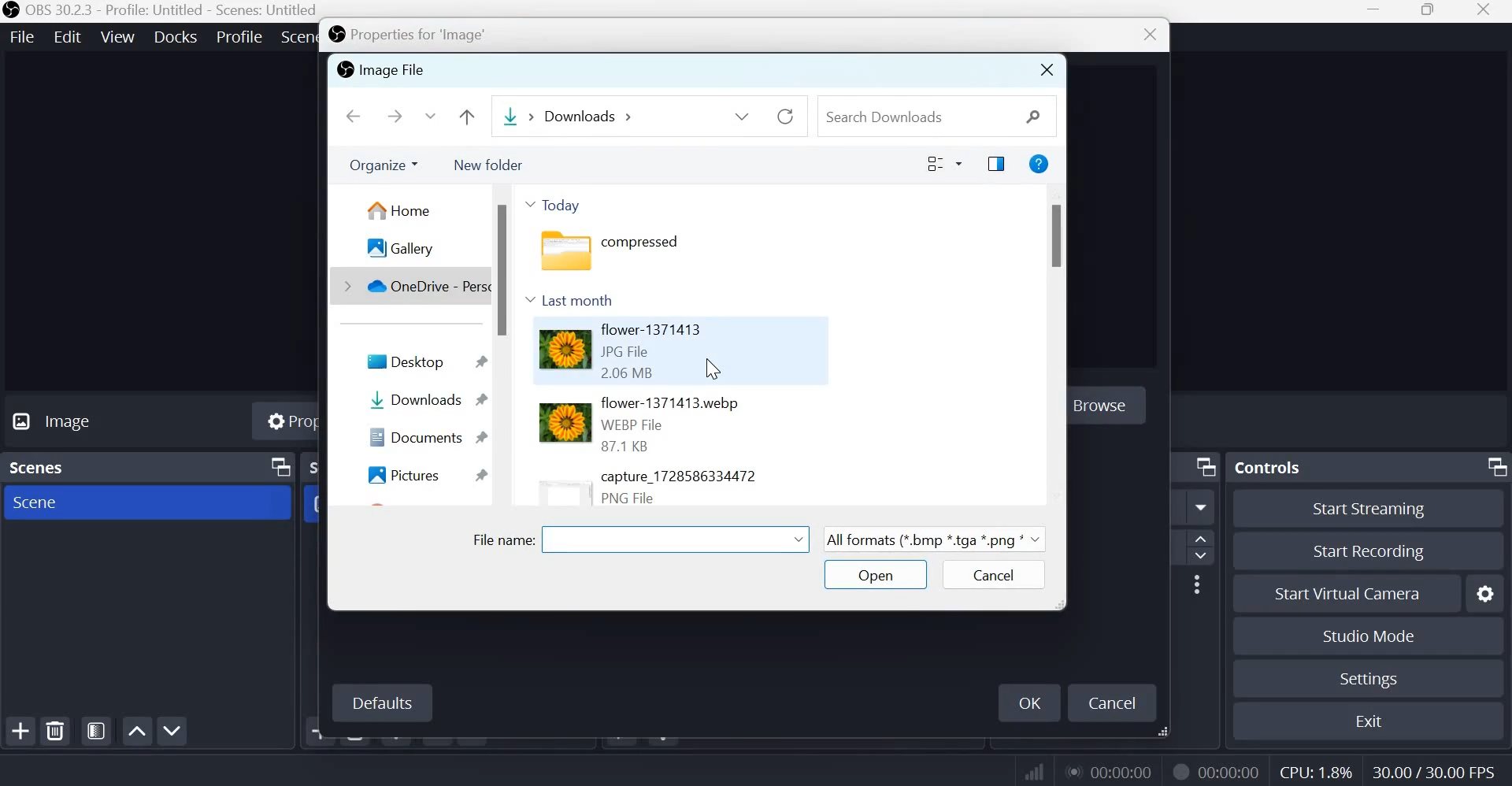  I want to click on 30.00/30.00 FPS, so click(1439, 769).